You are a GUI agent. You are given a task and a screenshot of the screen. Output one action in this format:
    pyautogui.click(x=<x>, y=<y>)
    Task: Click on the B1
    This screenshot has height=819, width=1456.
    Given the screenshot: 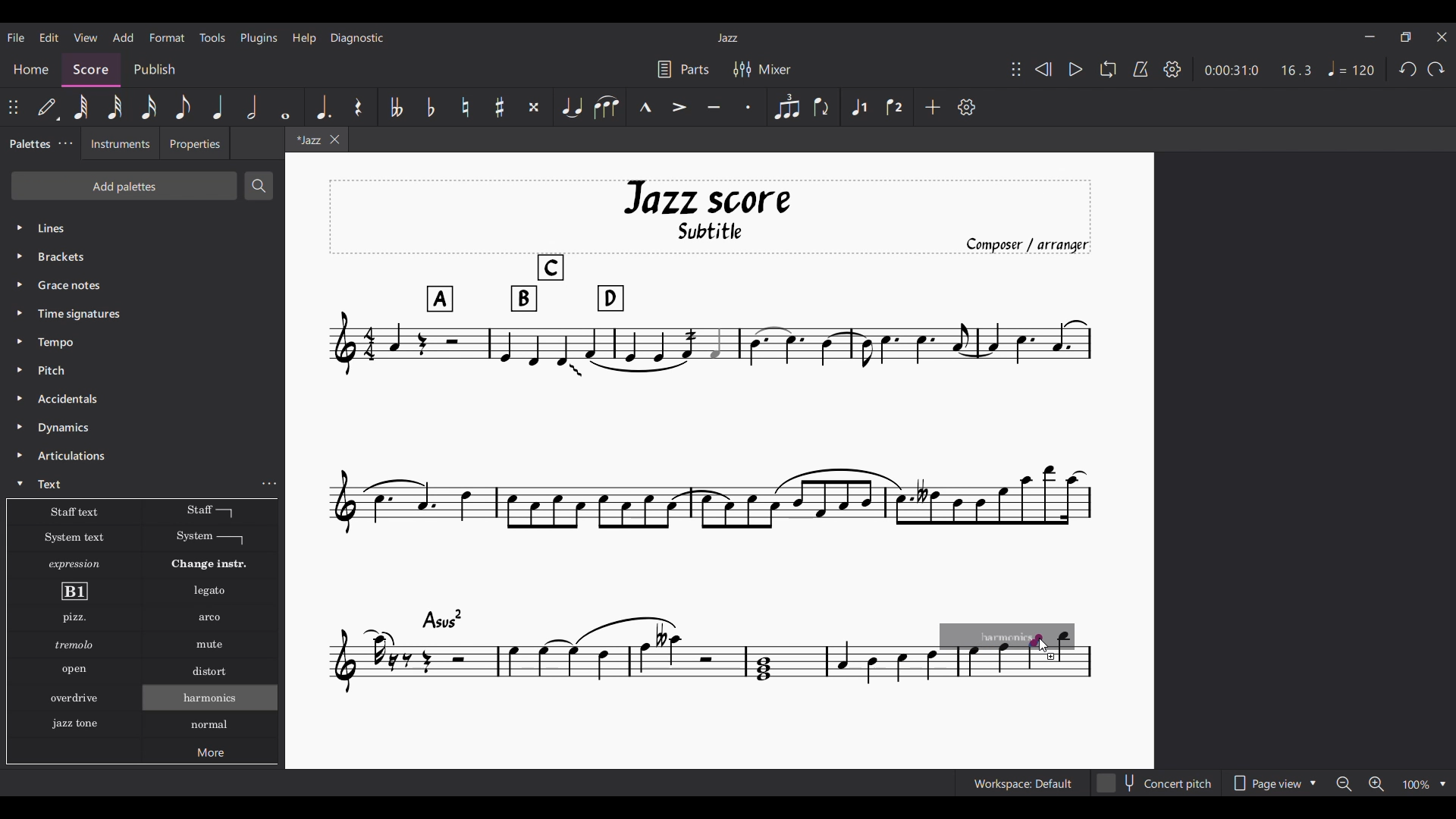 What is the action you would take?
    pyautogui.click(x=74, y=591)
    